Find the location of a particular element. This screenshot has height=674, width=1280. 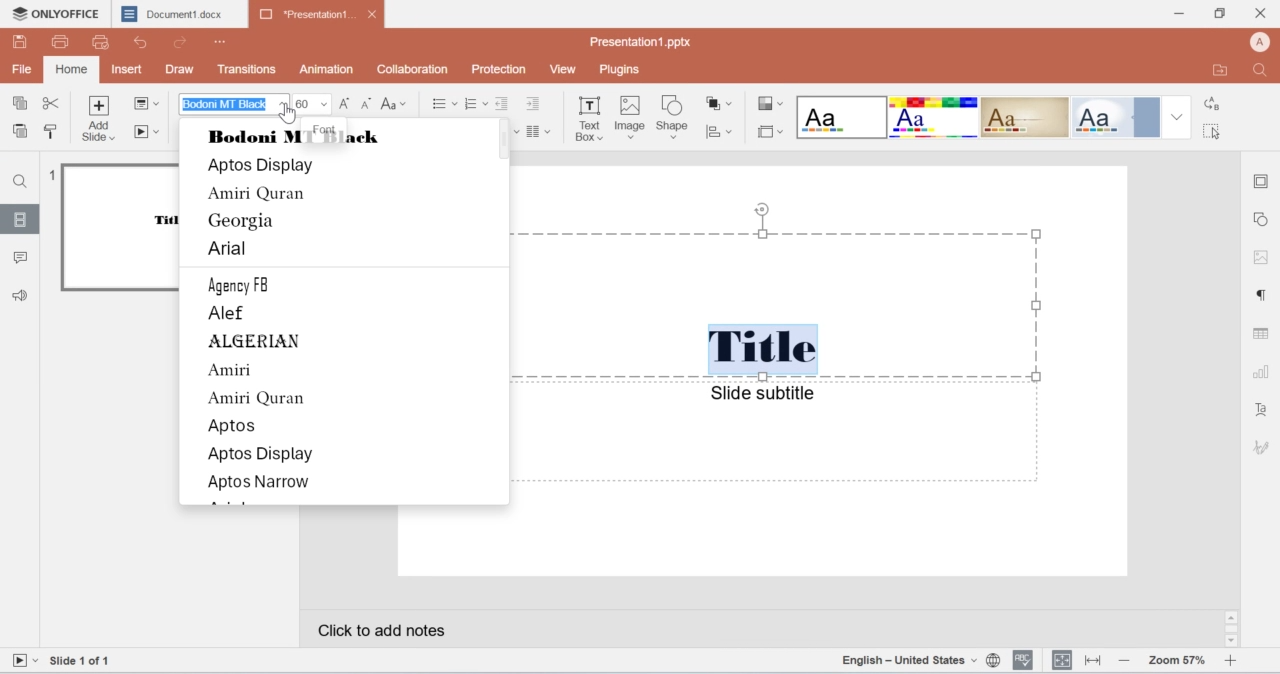

file is located at coordinates (148, 102).